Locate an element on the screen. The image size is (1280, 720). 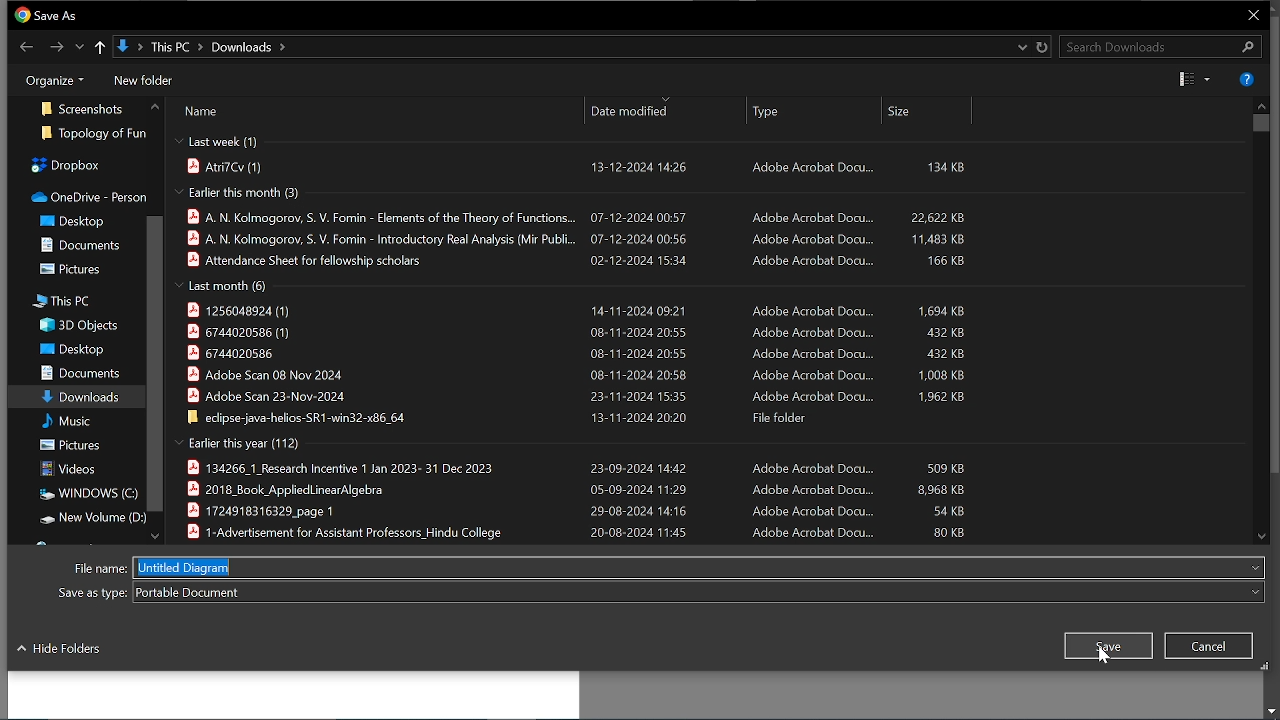
Save is located at coordinates (1108, 646).